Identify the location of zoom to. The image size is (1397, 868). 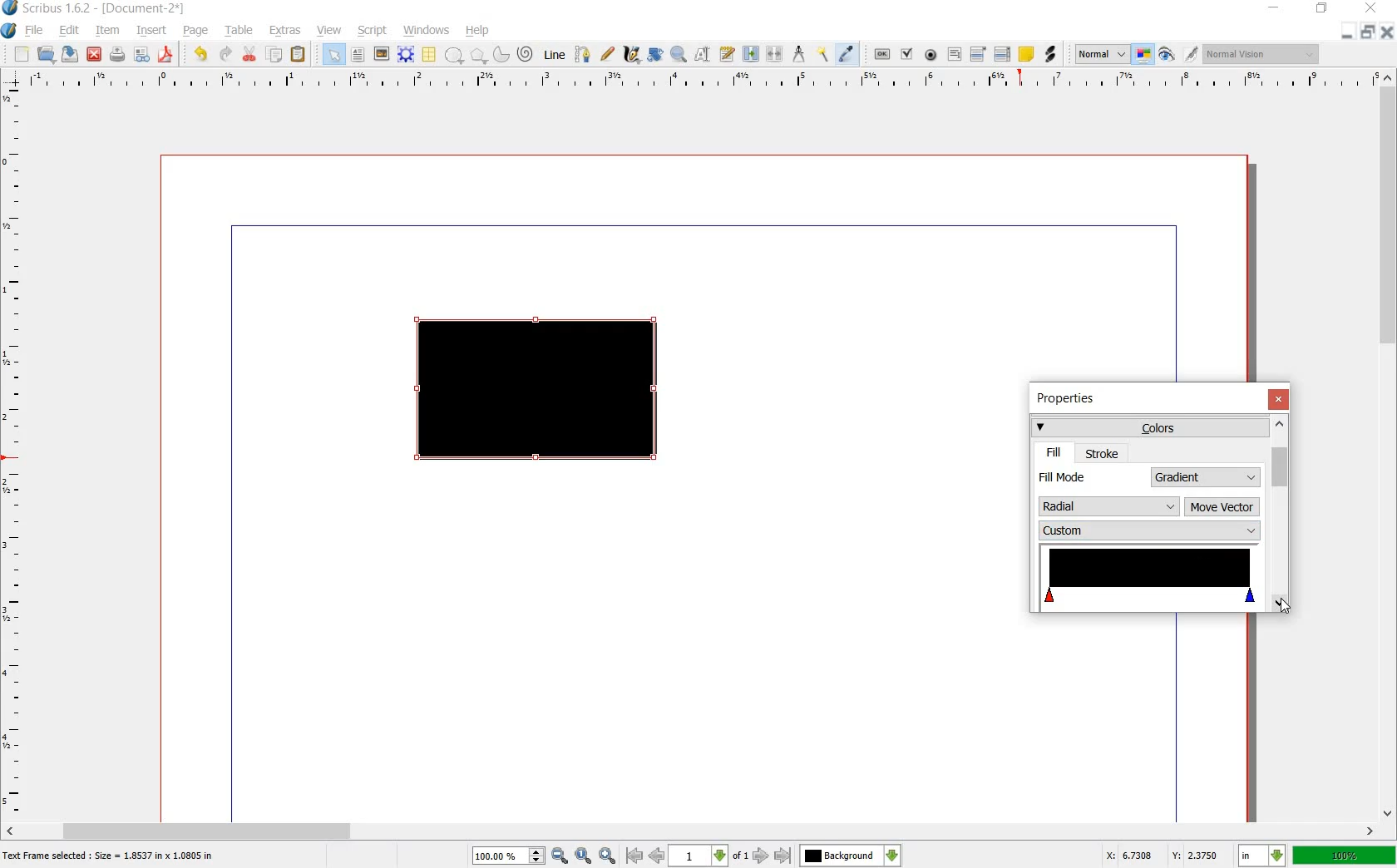
(584, 856).